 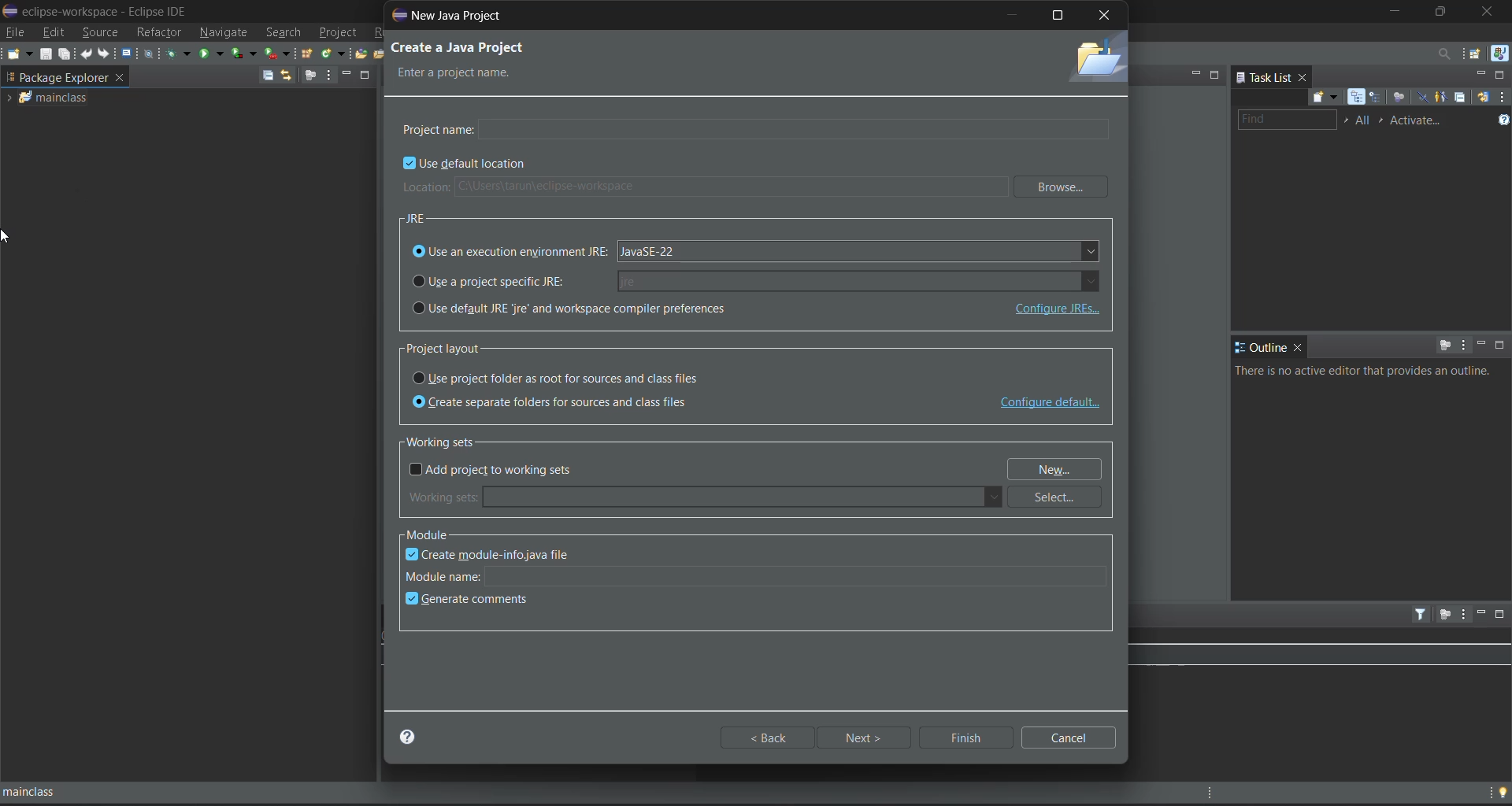 What do you see at coordinates (759, 574) in the screenshot?
I see `module name` at bounding box center [759, 574].